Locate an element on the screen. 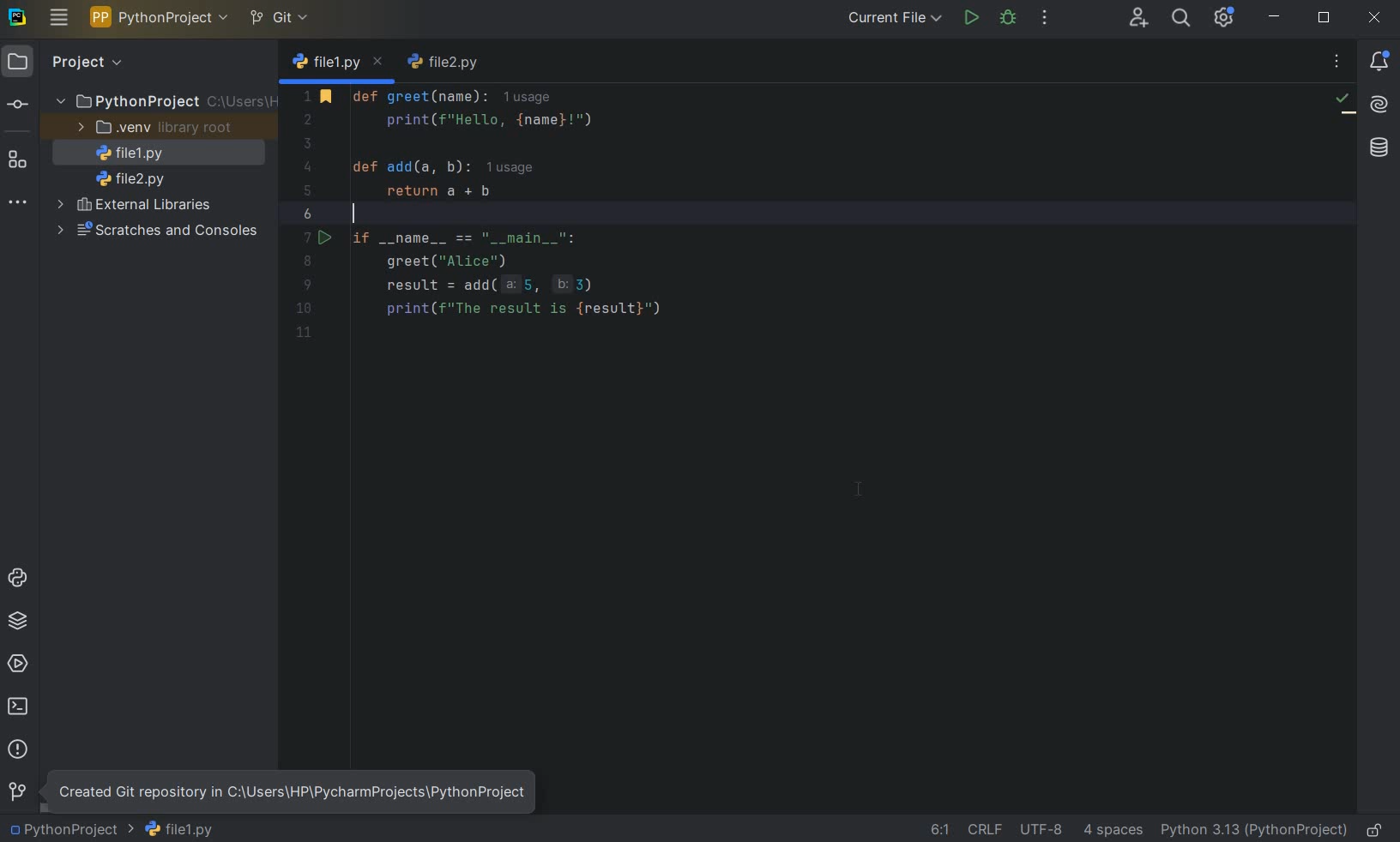  python console is located at coordinates (17, 578).